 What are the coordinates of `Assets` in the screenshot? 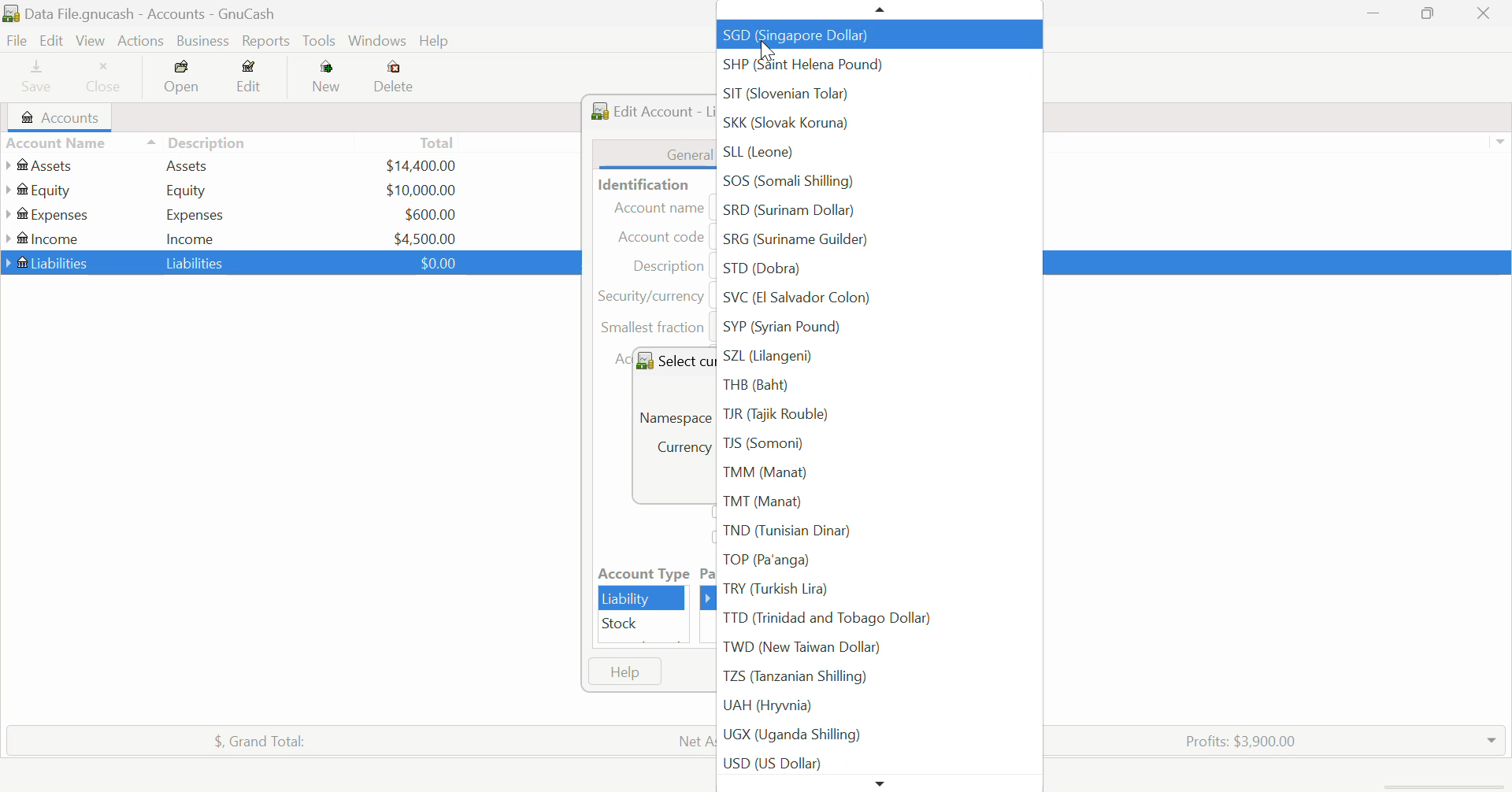 It's located at (187, 165).